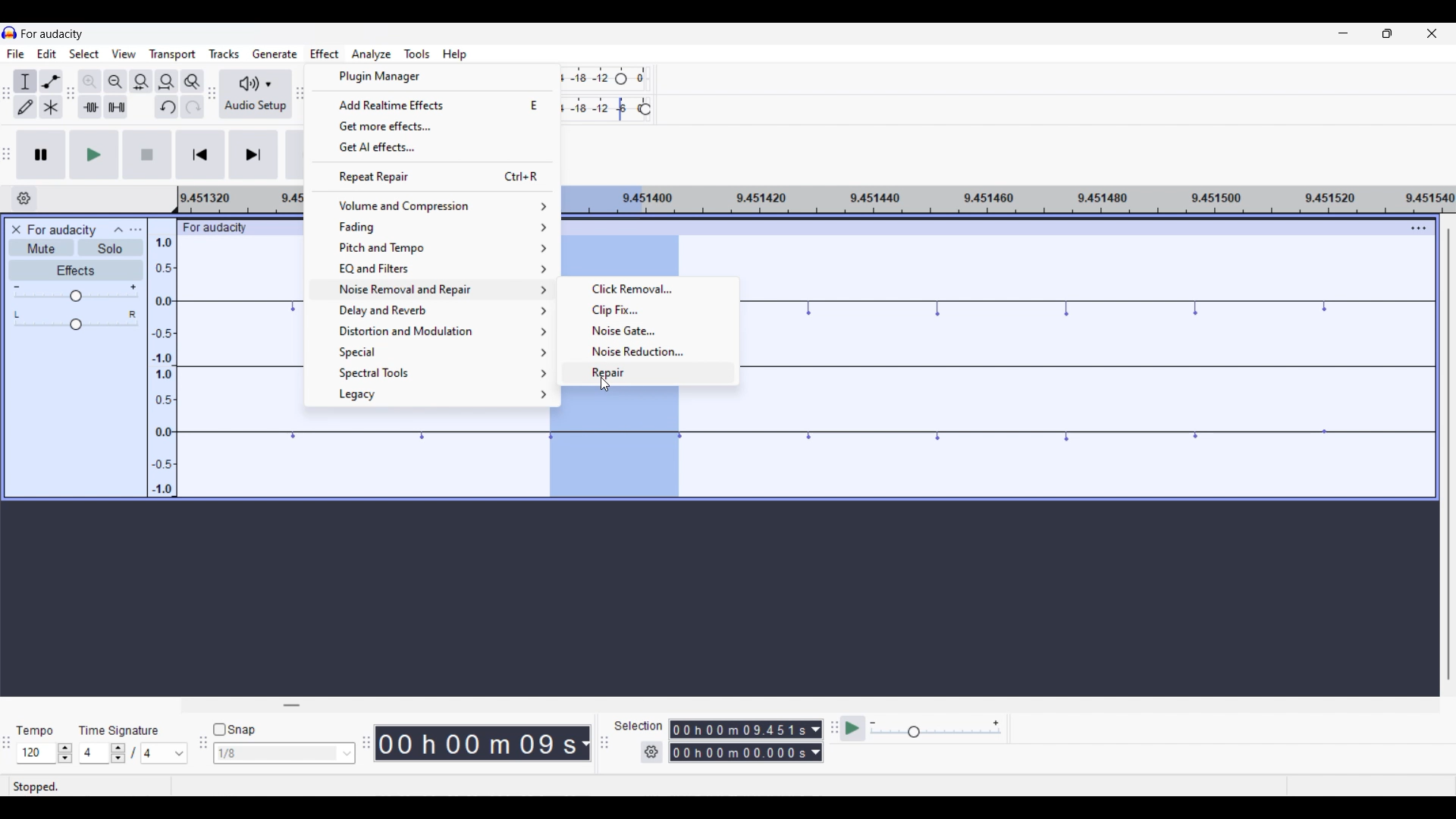  What do you see at coordinates (202, 748) in the screenshot?
I see `Snapping tool bar` at bounding box center [202, 748].